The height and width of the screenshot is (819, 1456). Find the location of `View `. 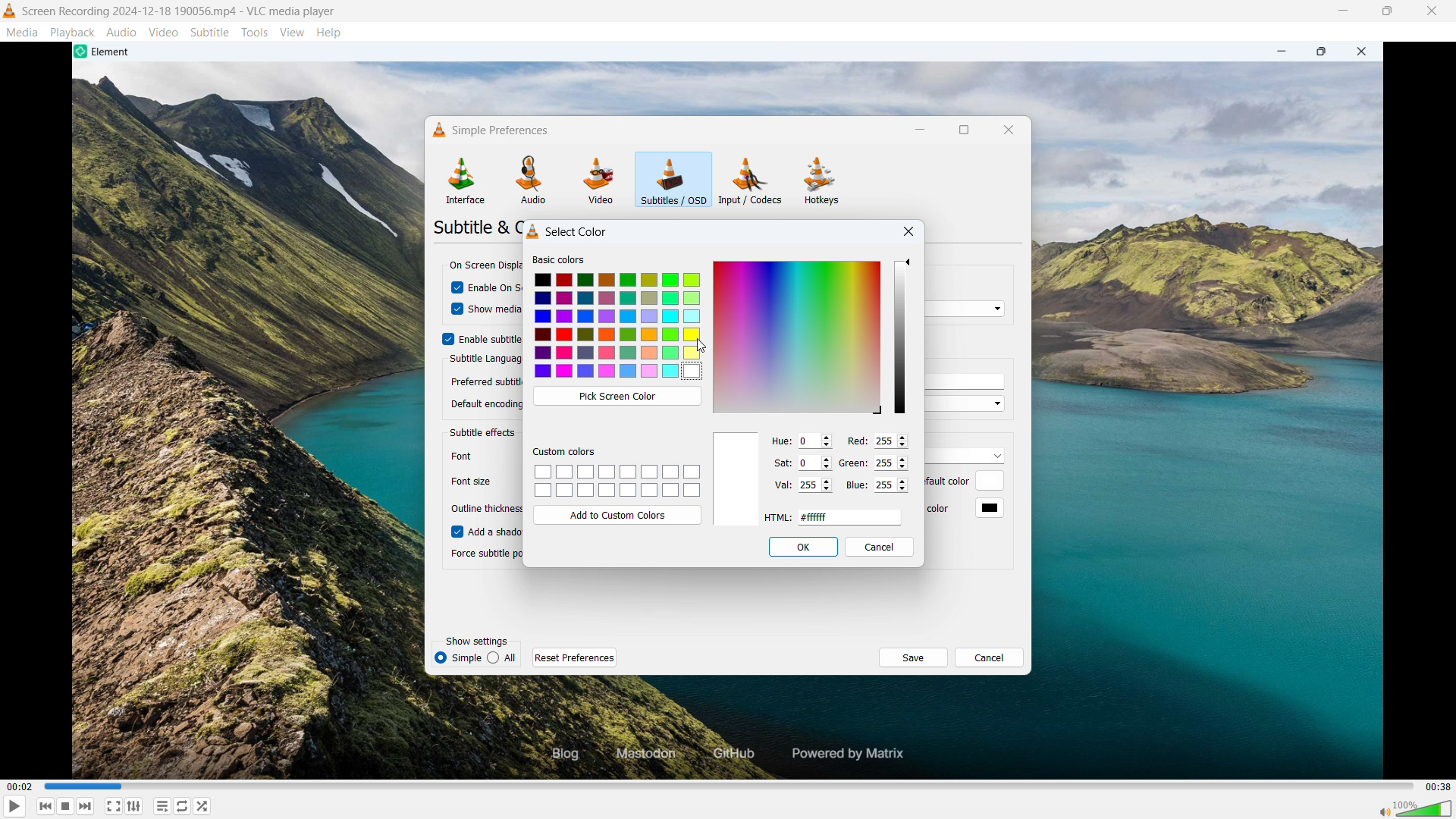

View  is located at coordinates (293, 32).